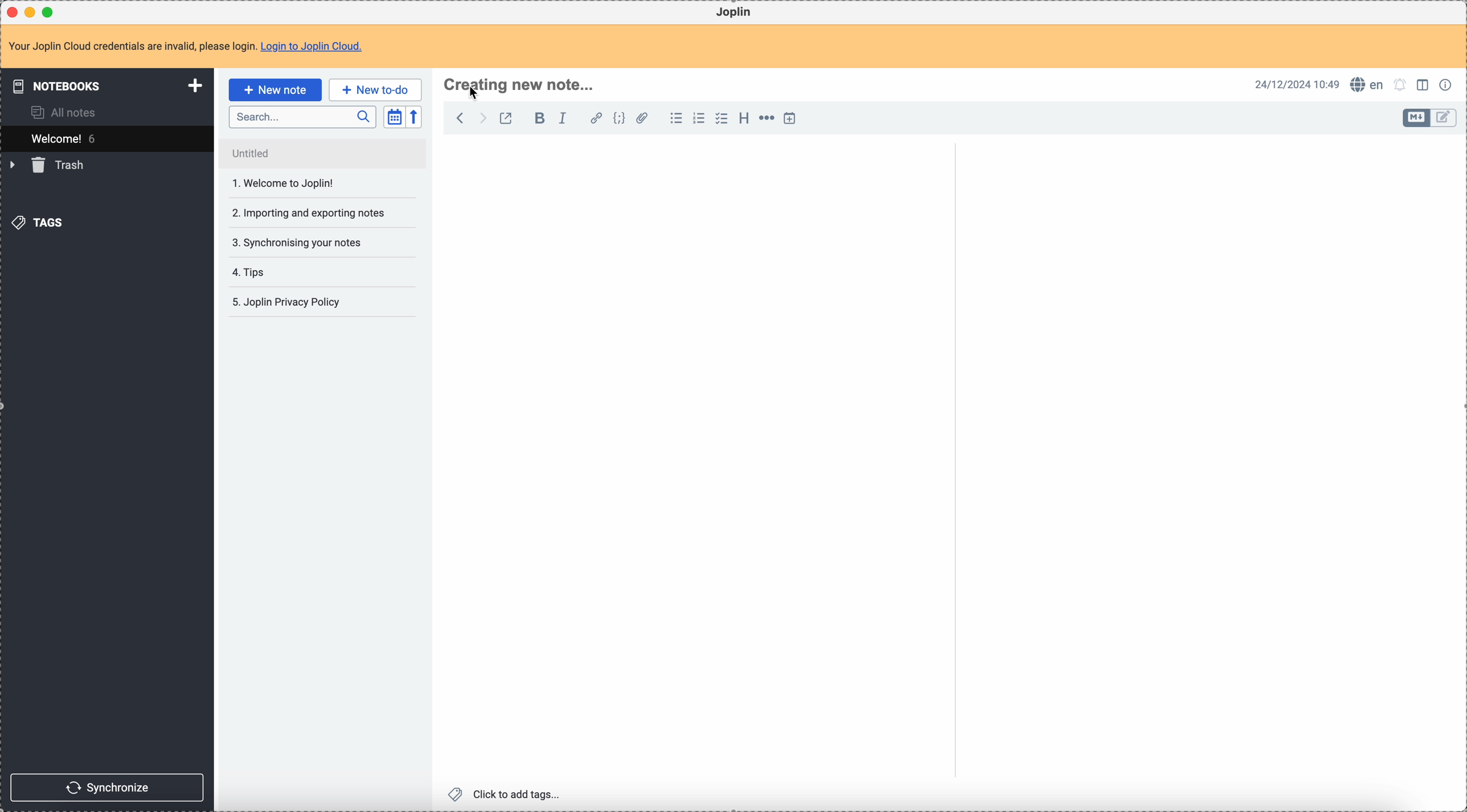 The width and height of the screenshot is (1467, 812). I want to click on Welcome to joplin, so click(310, 186).